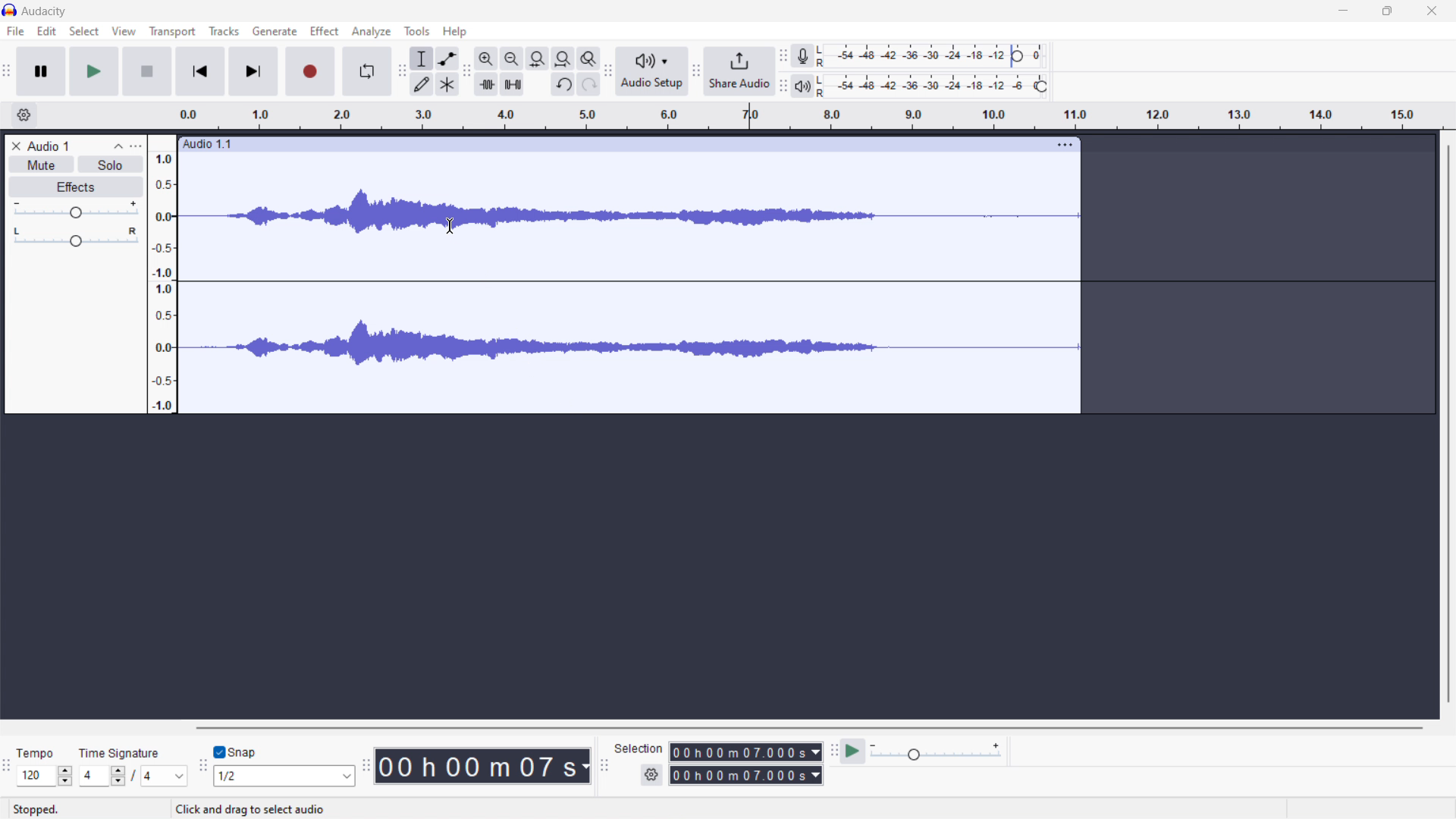 The width and height of the screenshot is (1456, 819). What do you see at coordinates (422, 85) in the screenshot?
I see `draw tool` at bounding box center [422, 85].